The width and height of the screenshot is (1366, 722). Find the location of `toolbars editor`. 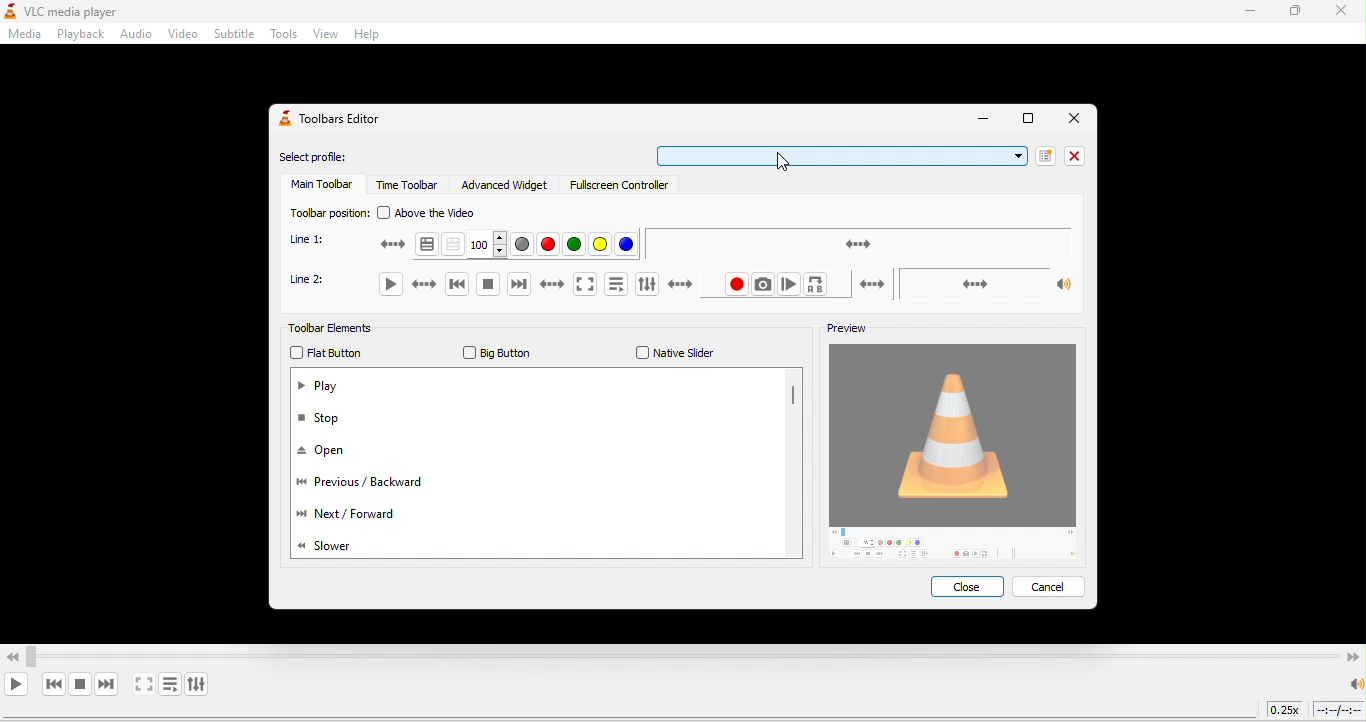

toolbars editor is located at coordinates (335, 120).